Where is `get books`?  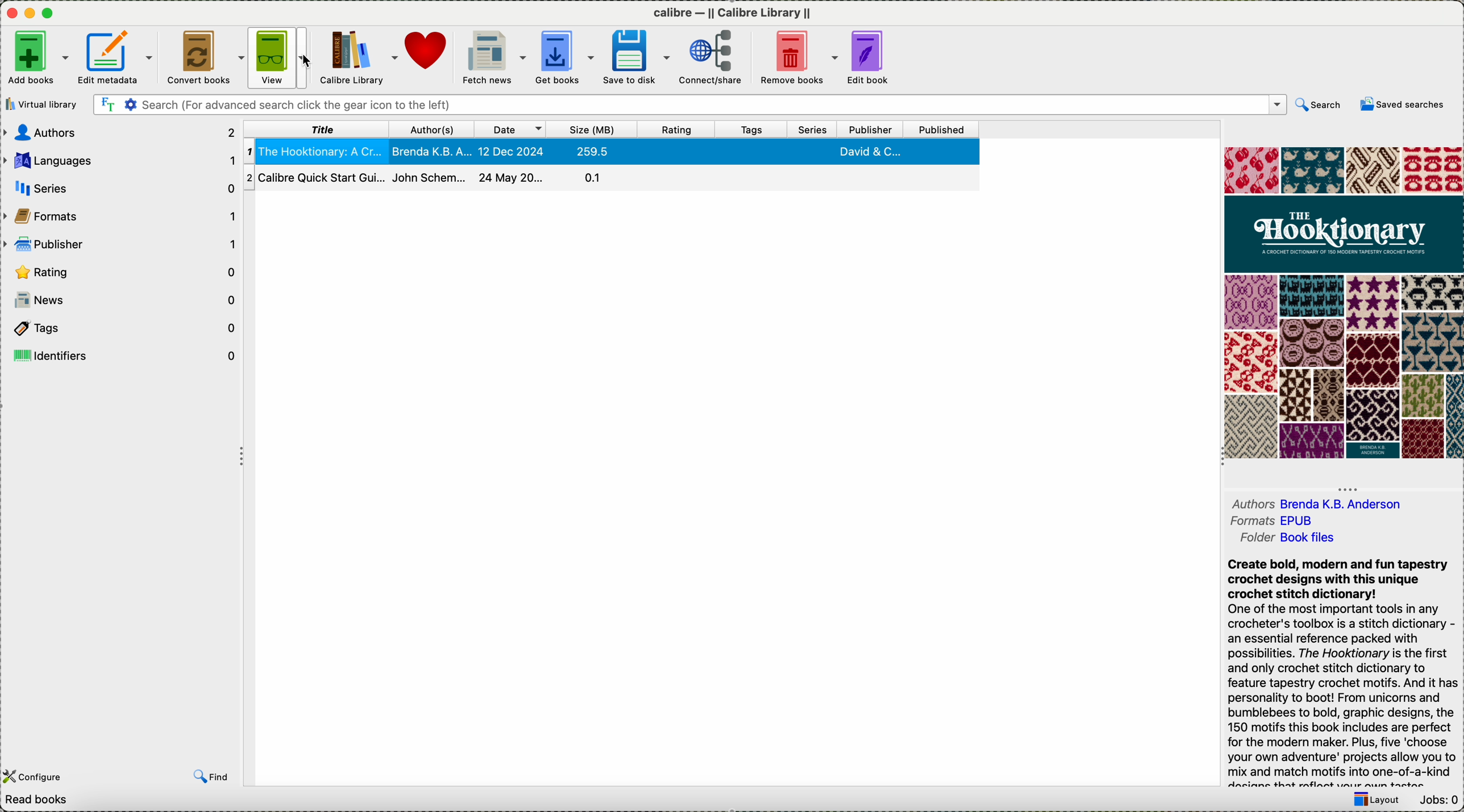
get books is located at coordinates (564, 55).